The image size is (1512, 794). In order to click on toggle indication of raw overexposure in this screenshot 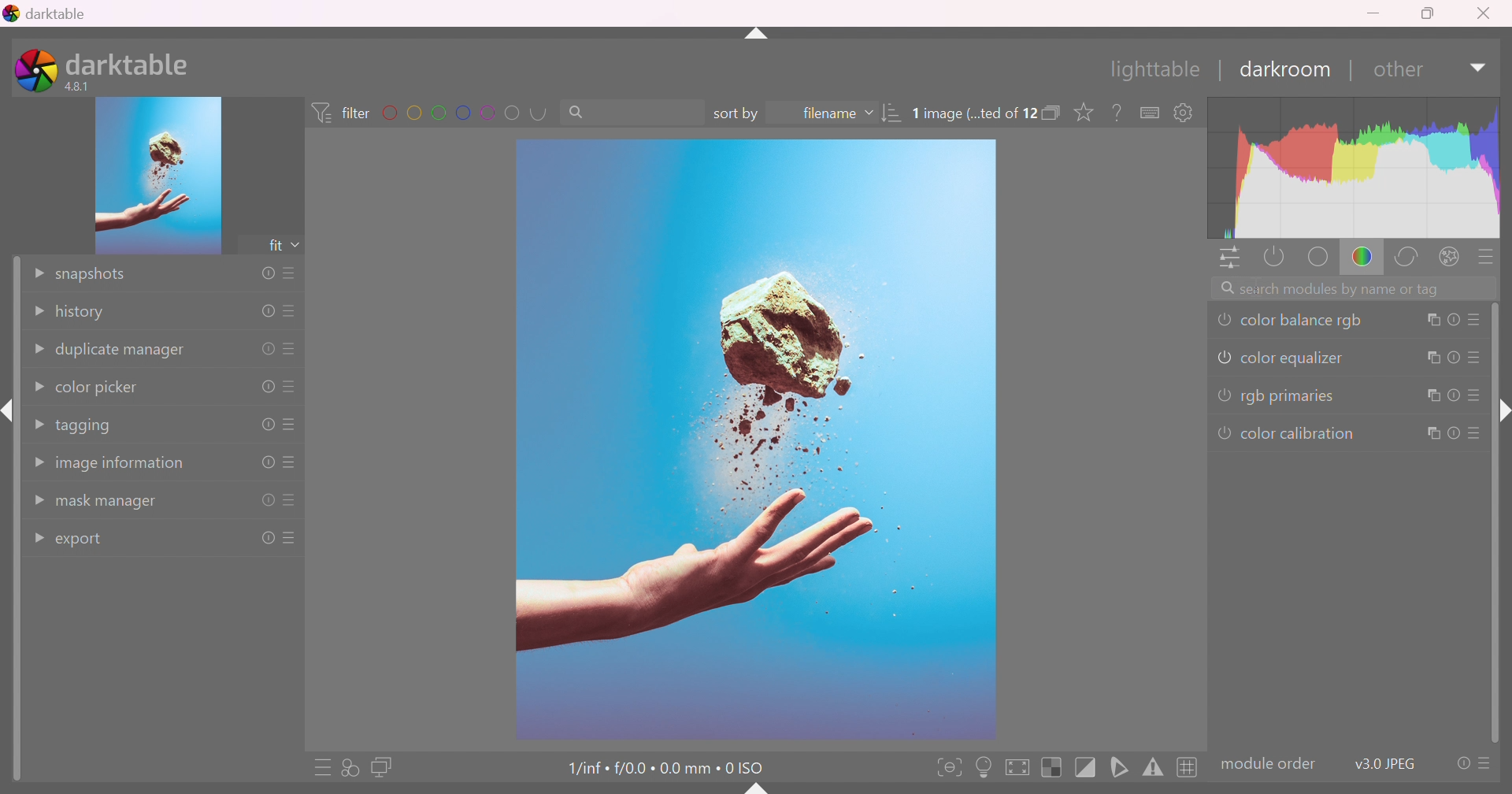, I will do `click(1050, 766)`.